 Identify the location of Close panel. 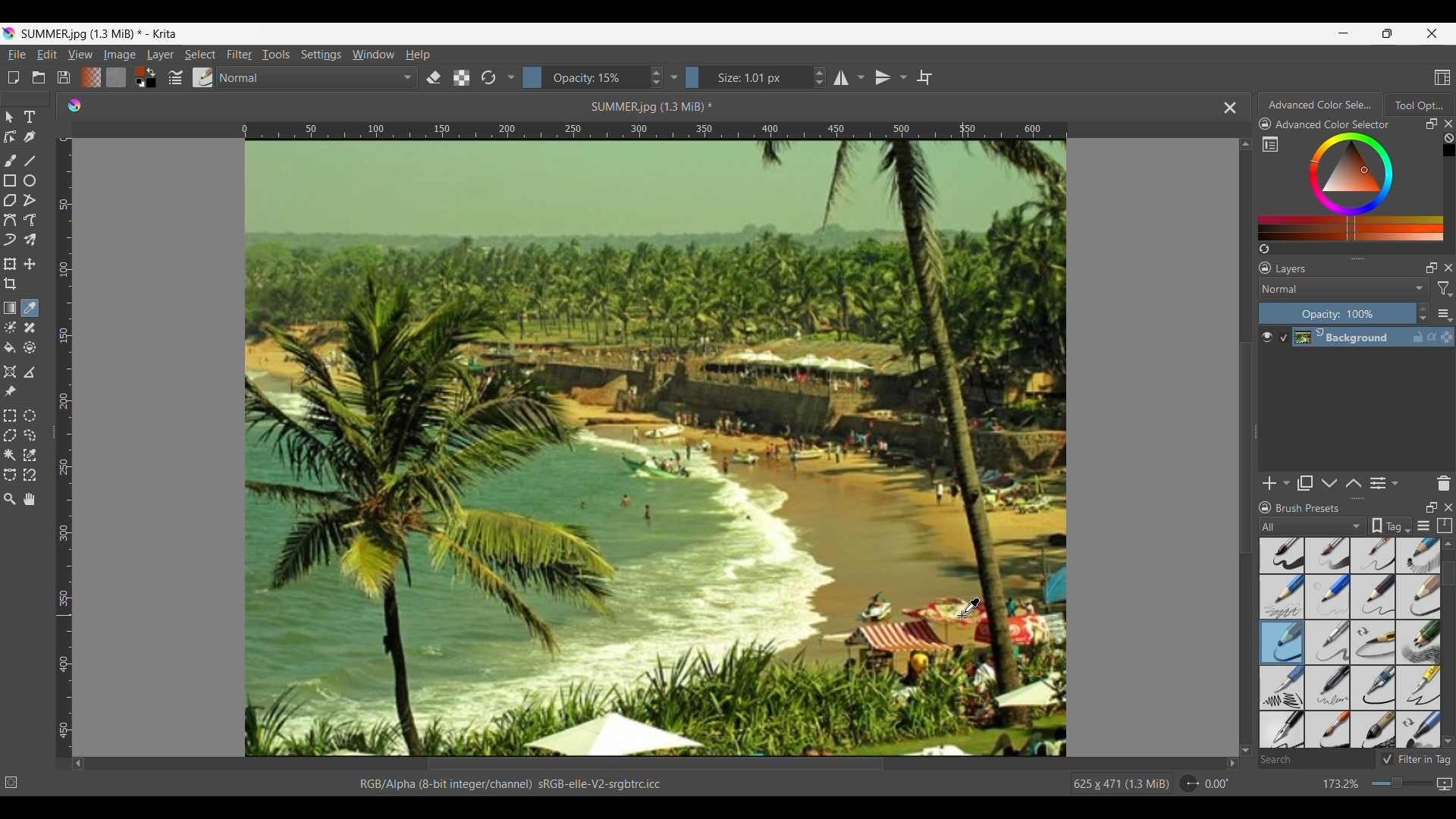
(1449, 268).